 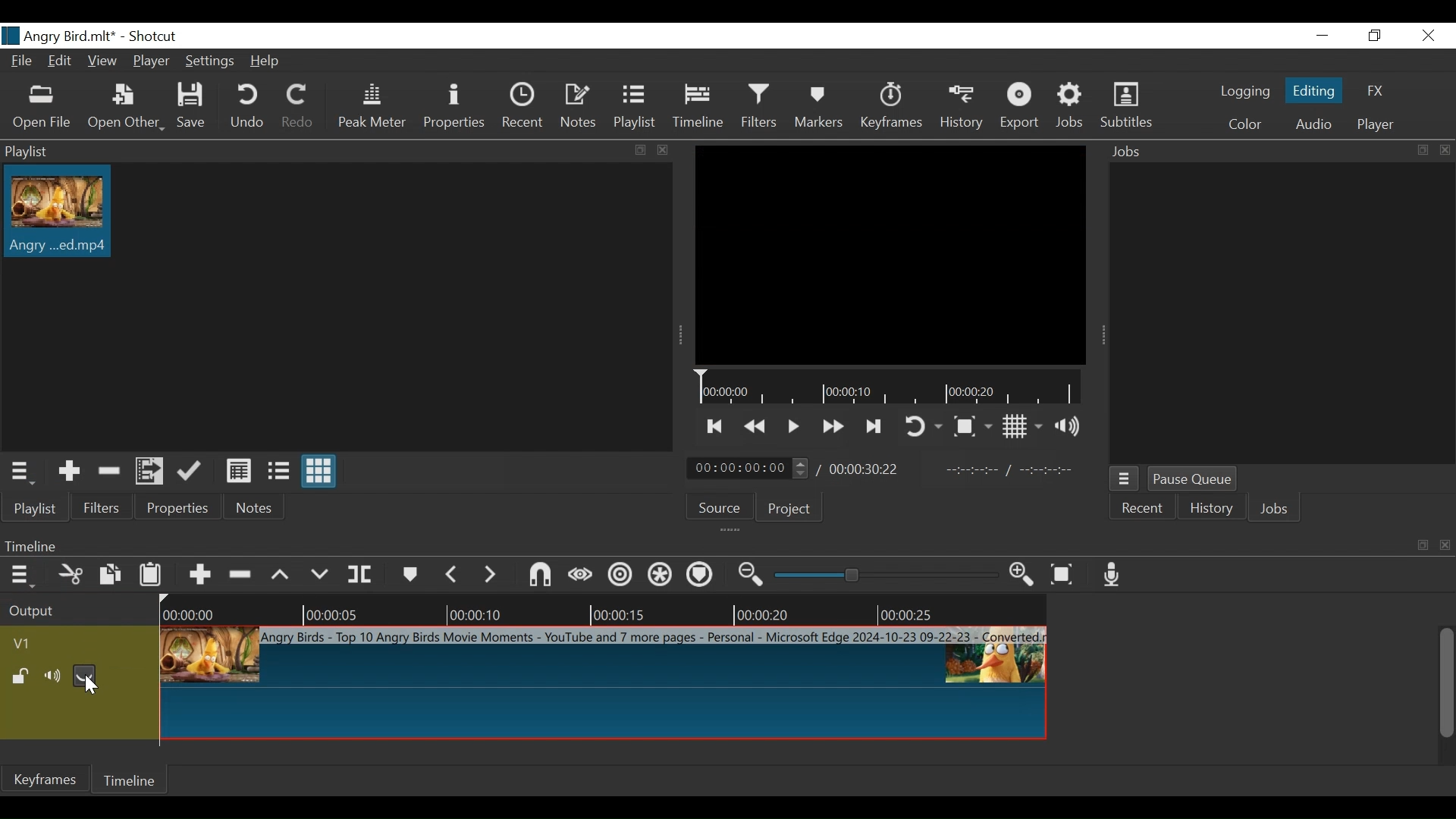 What do you see at coordinates (603, 609) in the screenshot?
I see `Timeline` at bounding box center [603, 609].